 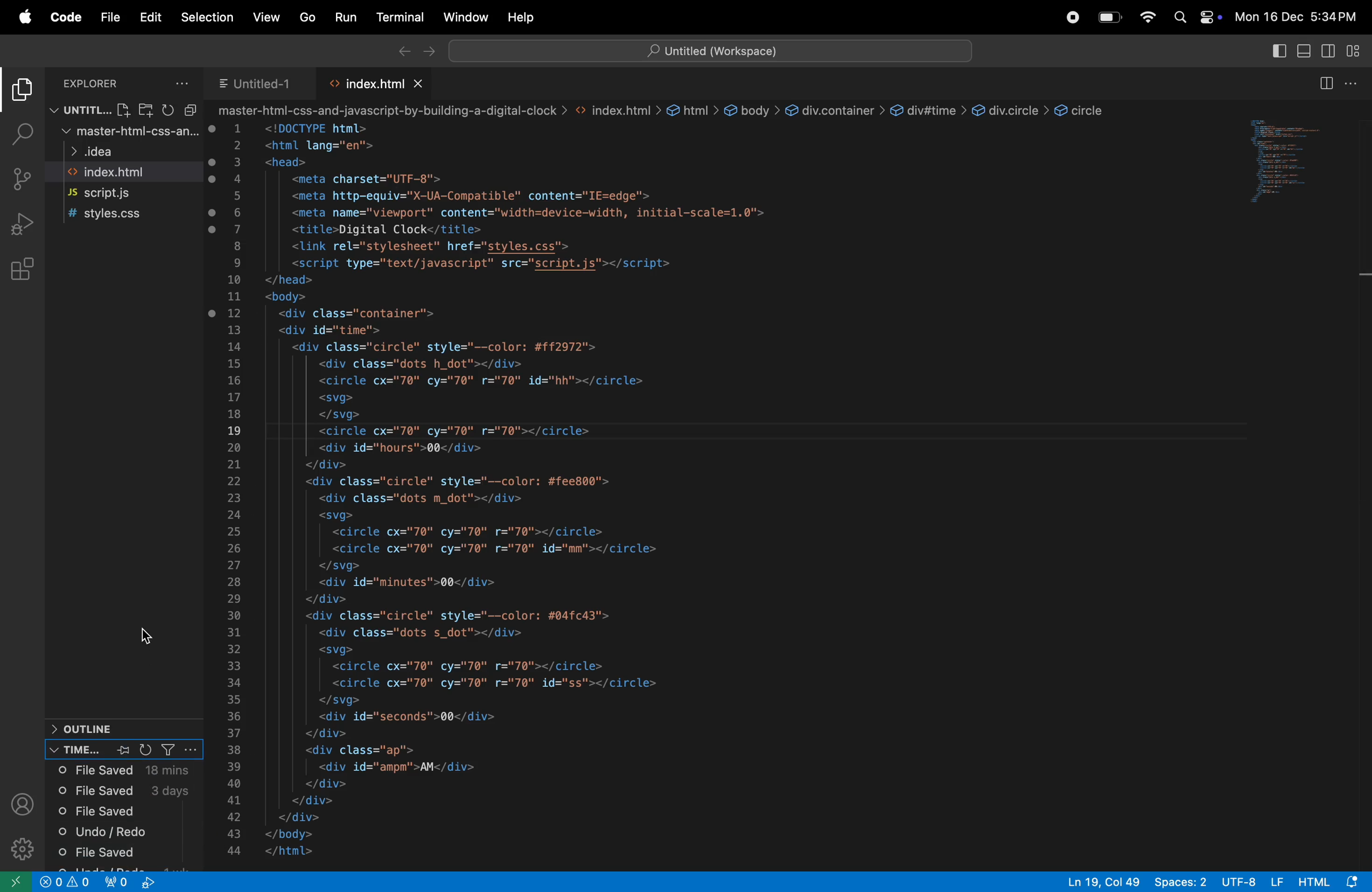 What do you see at coordinates (145, 111) in the screenshot?
I see `Add Folder` at bounding box center [145, 111].